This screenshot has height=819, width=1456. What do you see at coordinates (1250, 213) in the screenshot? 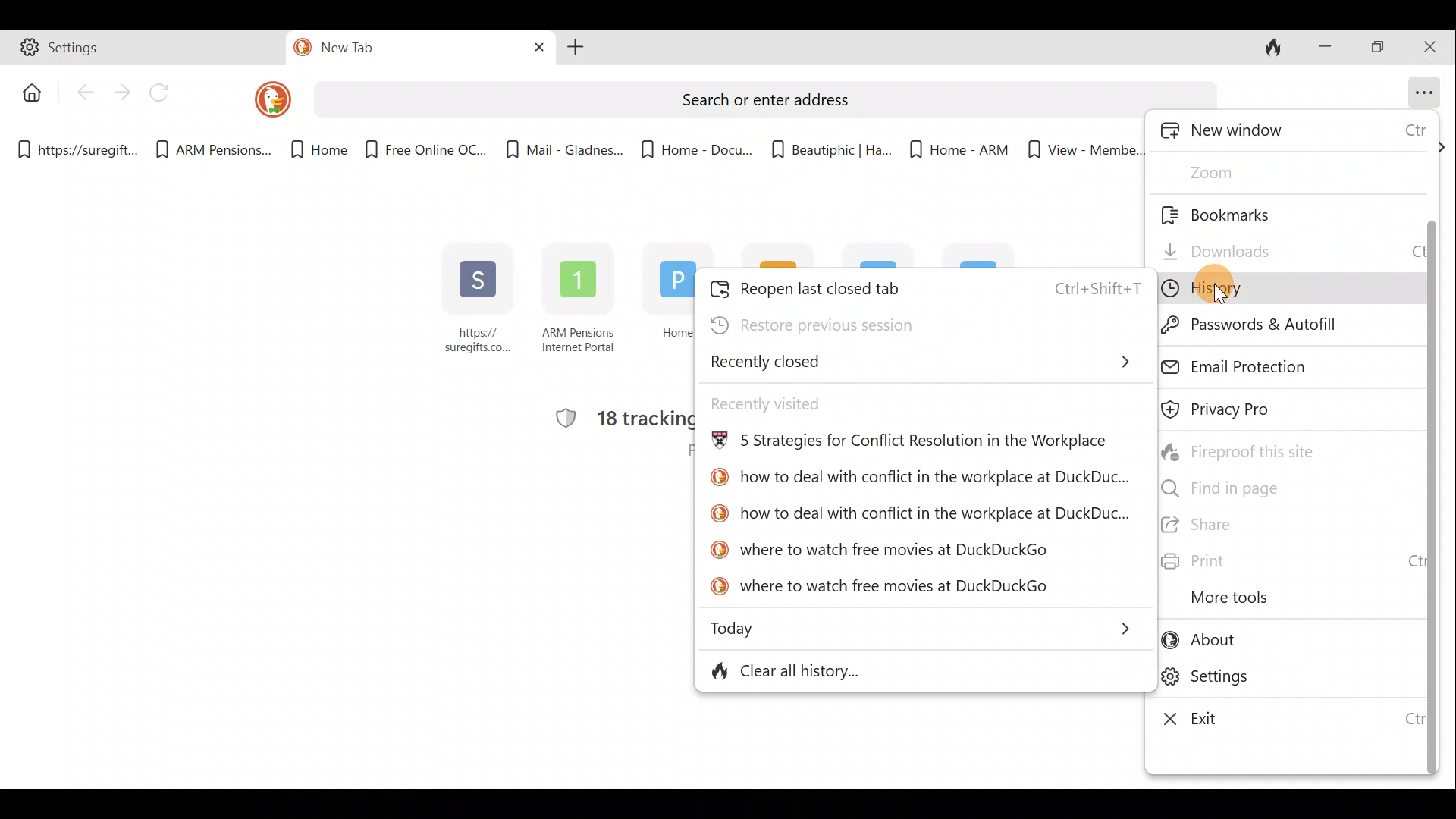
I see `Bookmarks` at bounding box center [1250, 213].